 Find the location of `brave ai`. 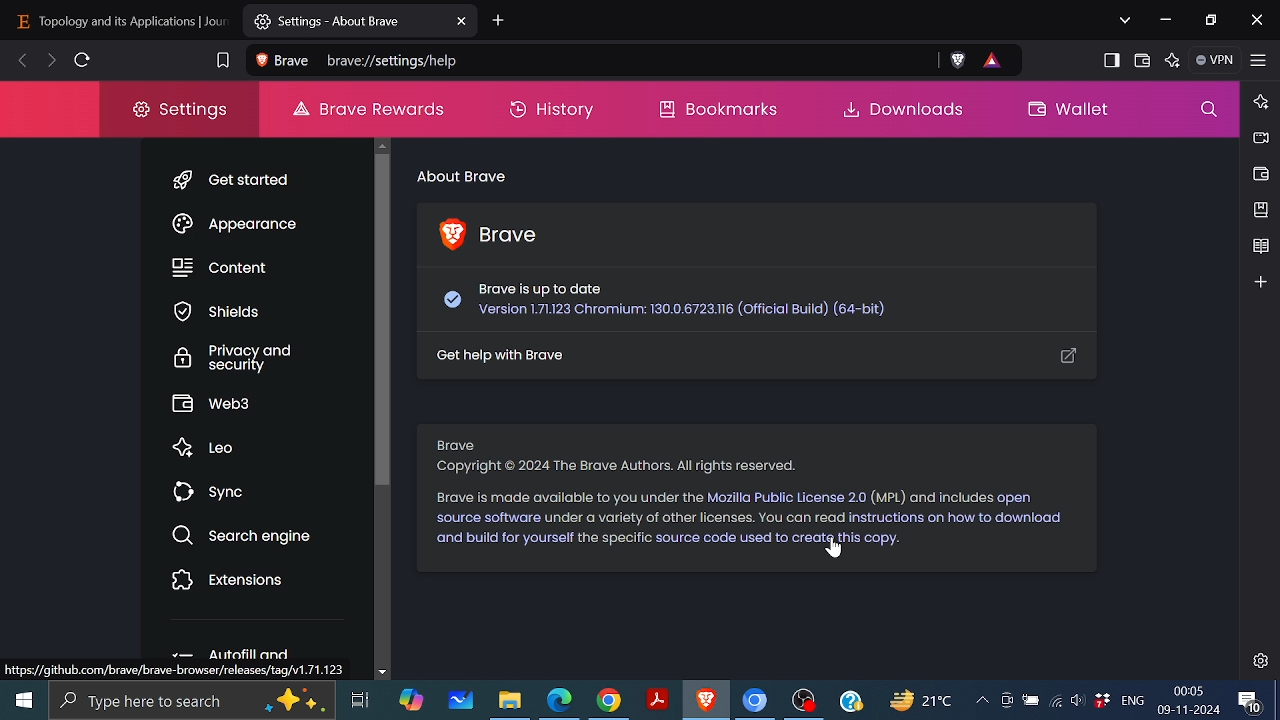

brave ai is located at coordinates (1262, 100).